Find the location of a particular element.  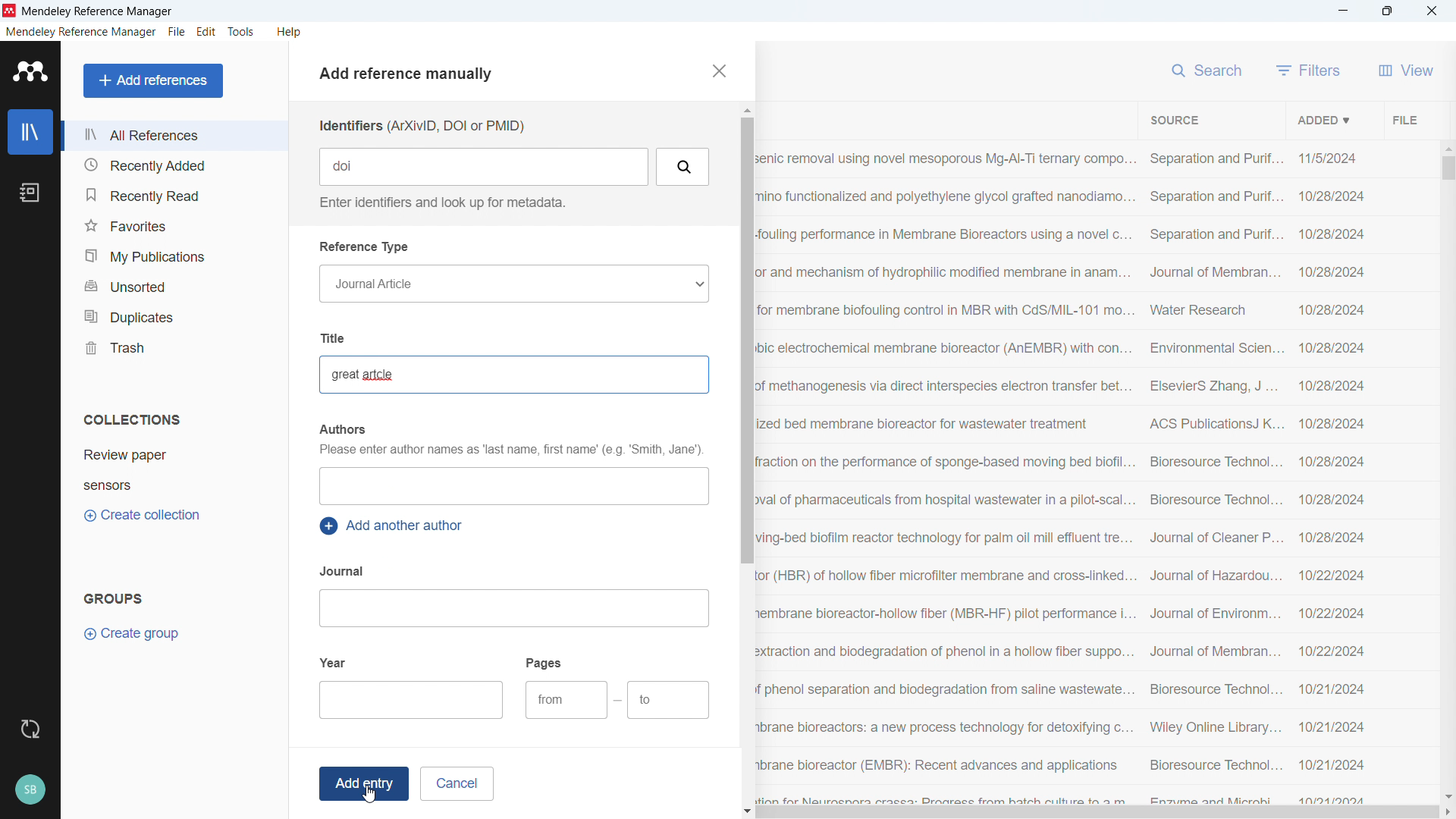

Scroll down is located at coordinates (748, 812).